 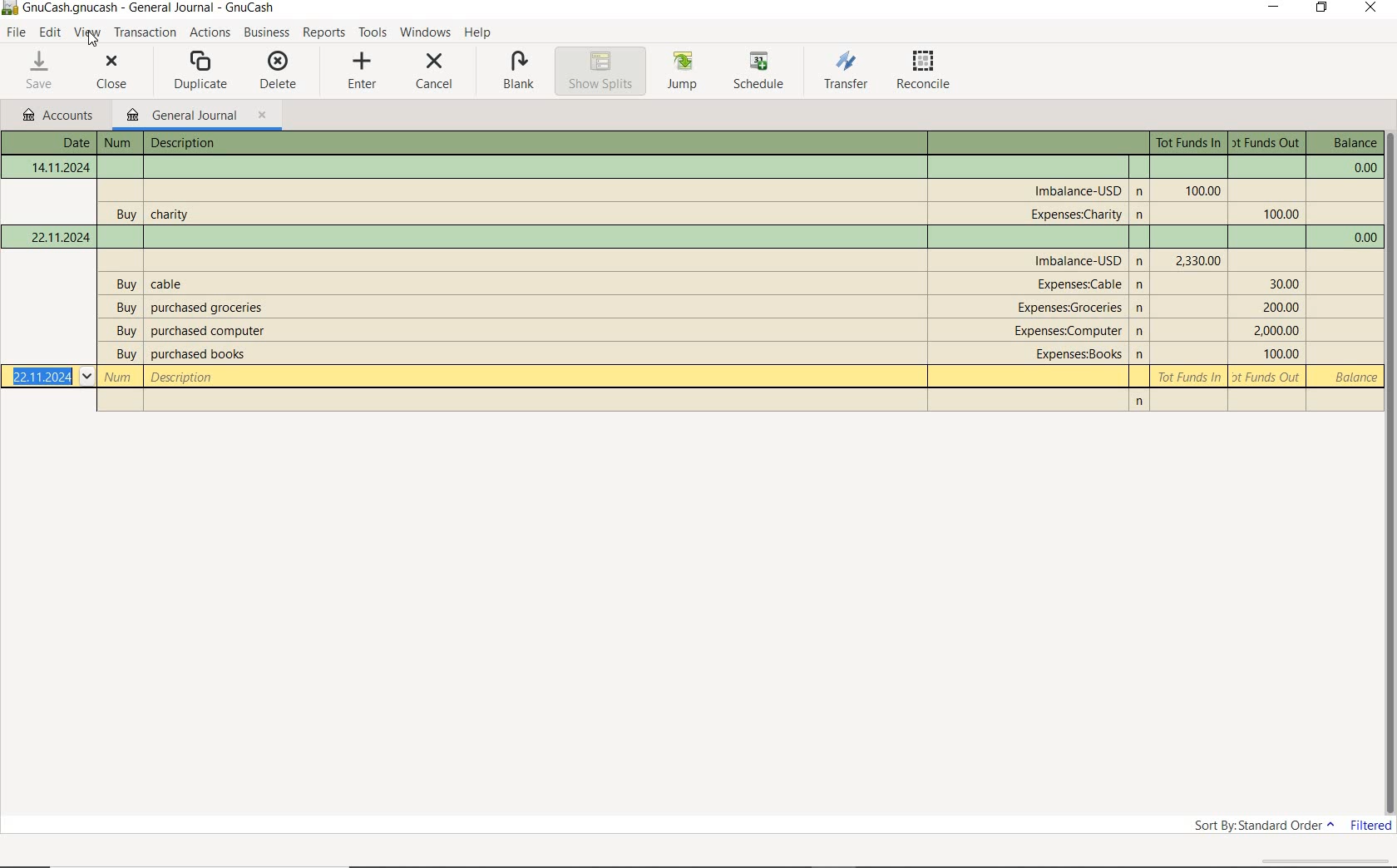 I want to click on Date, so click(x=60, y=236).